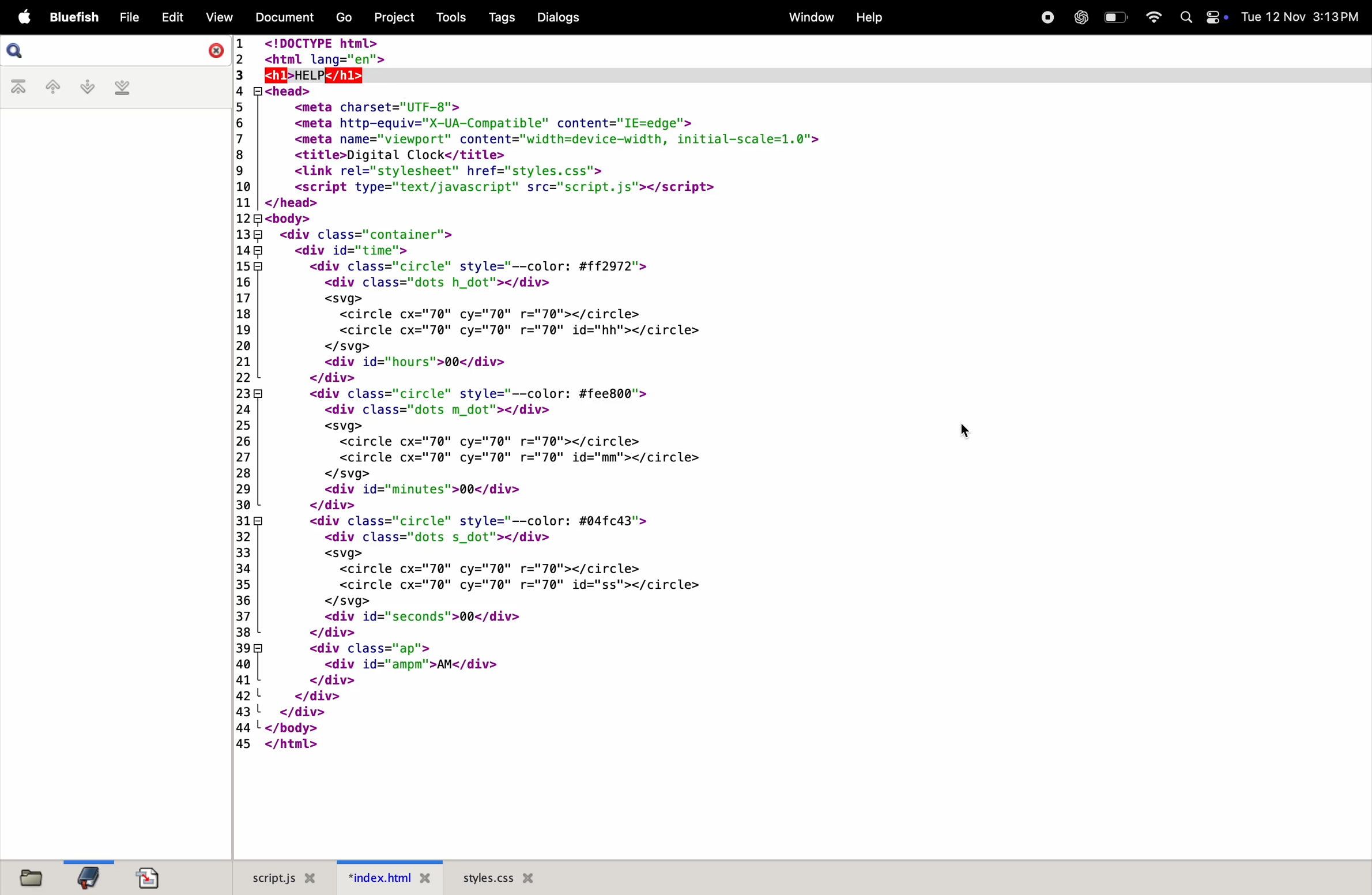  What do you see at coordinates (1115, 17) in the screenshot?
I see `battery` at bounding box center [1115, 17].